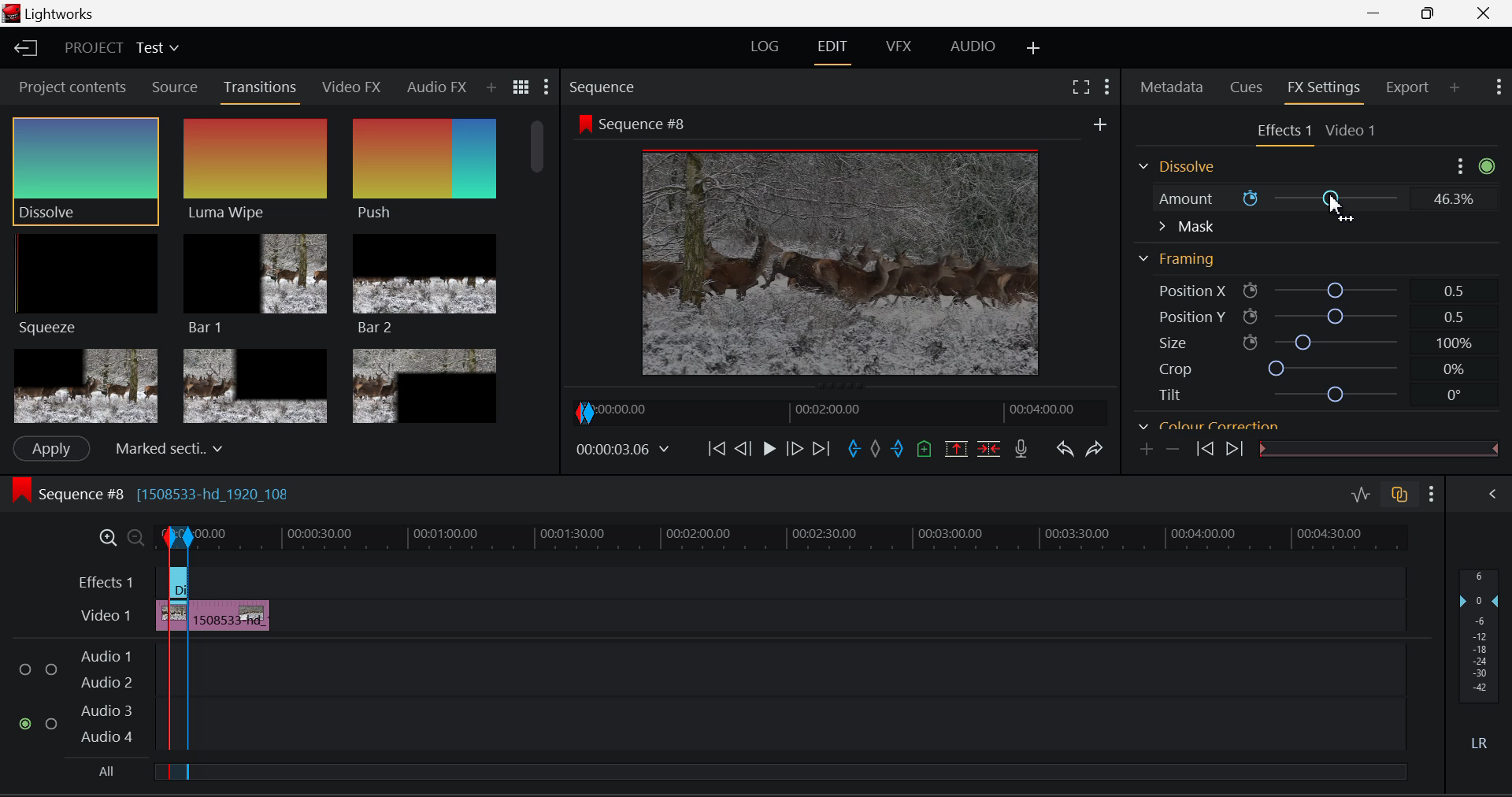 The image size is (1512, 797). What do you see at coordinates (27, 50) in the screenshot?
I see `Go to Homepage` at bounding box center [27, 50].